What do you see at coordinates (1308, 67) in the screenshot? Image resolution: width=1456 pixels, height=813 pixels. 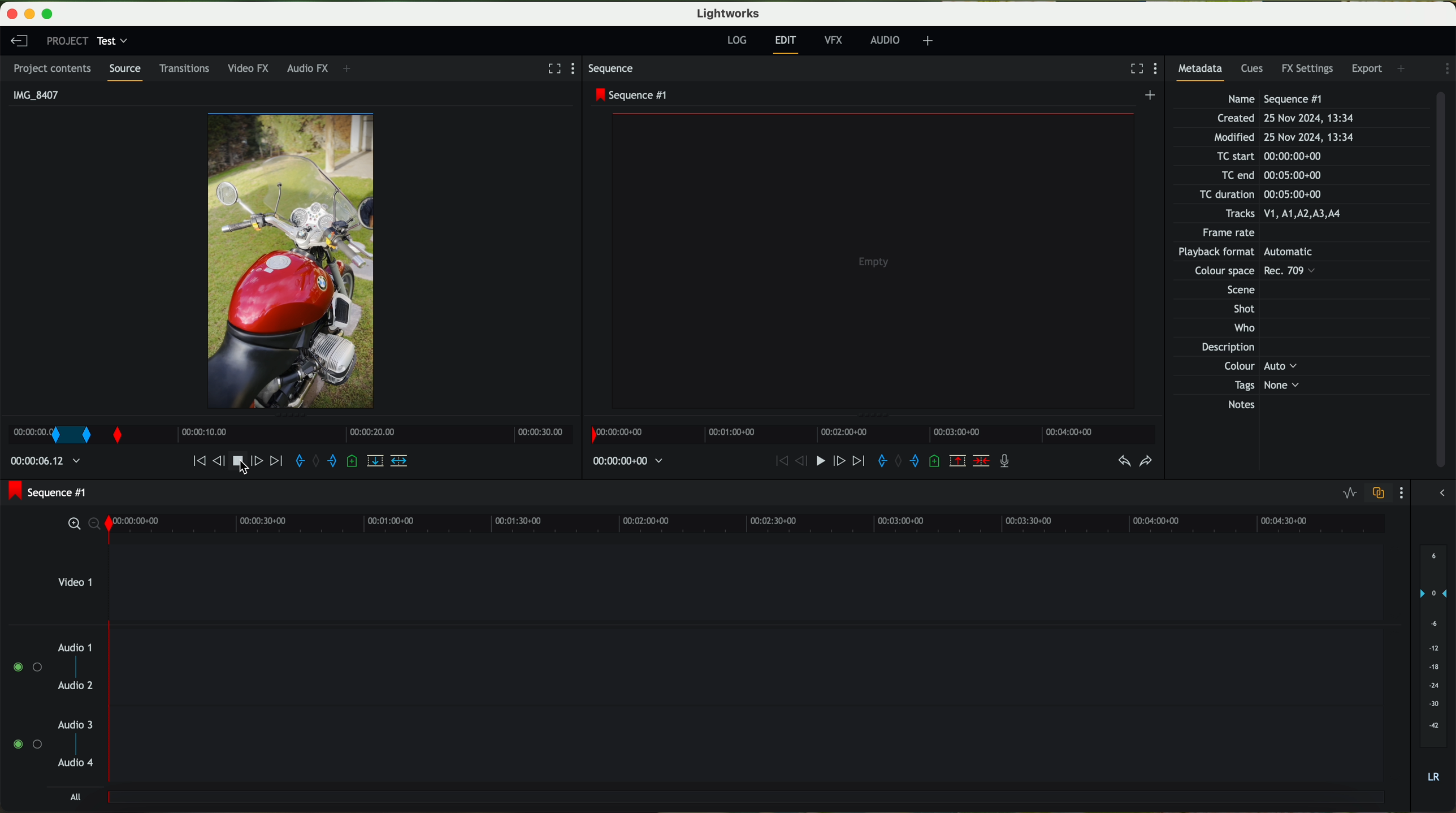 I see `FX settings` at bounding box center [1308, 67].